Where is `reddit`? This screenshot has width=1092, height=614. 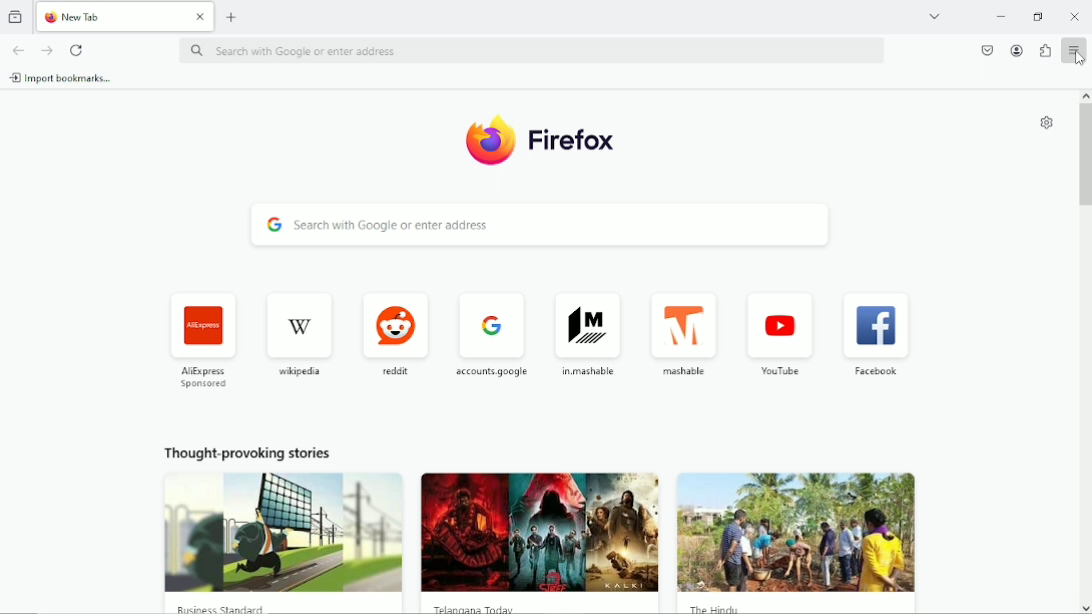
reddit is located at coordinates (396, 330).